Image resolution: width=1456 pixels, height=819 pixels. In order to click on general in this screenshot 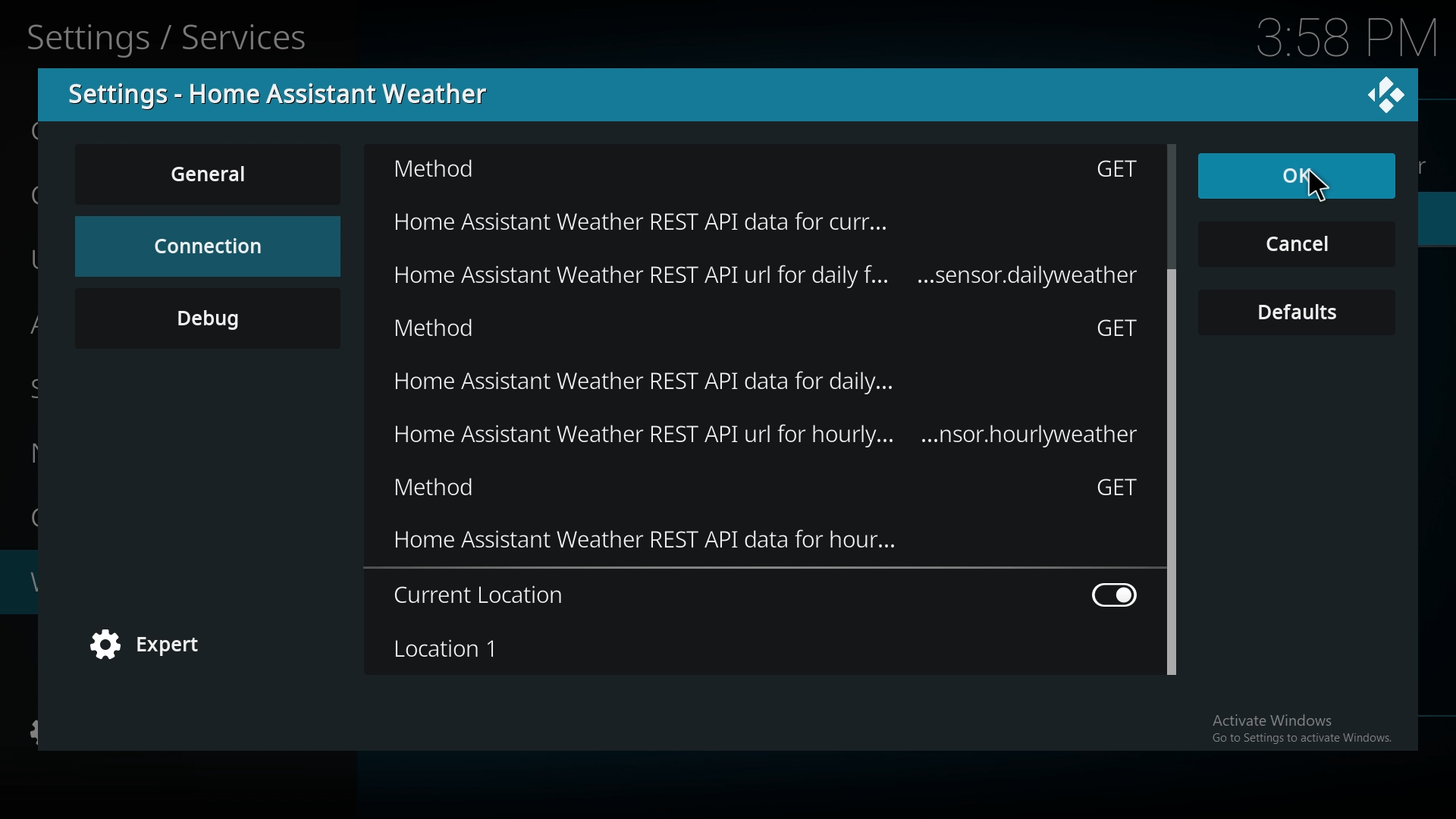, I will do `click(211, 174)`.